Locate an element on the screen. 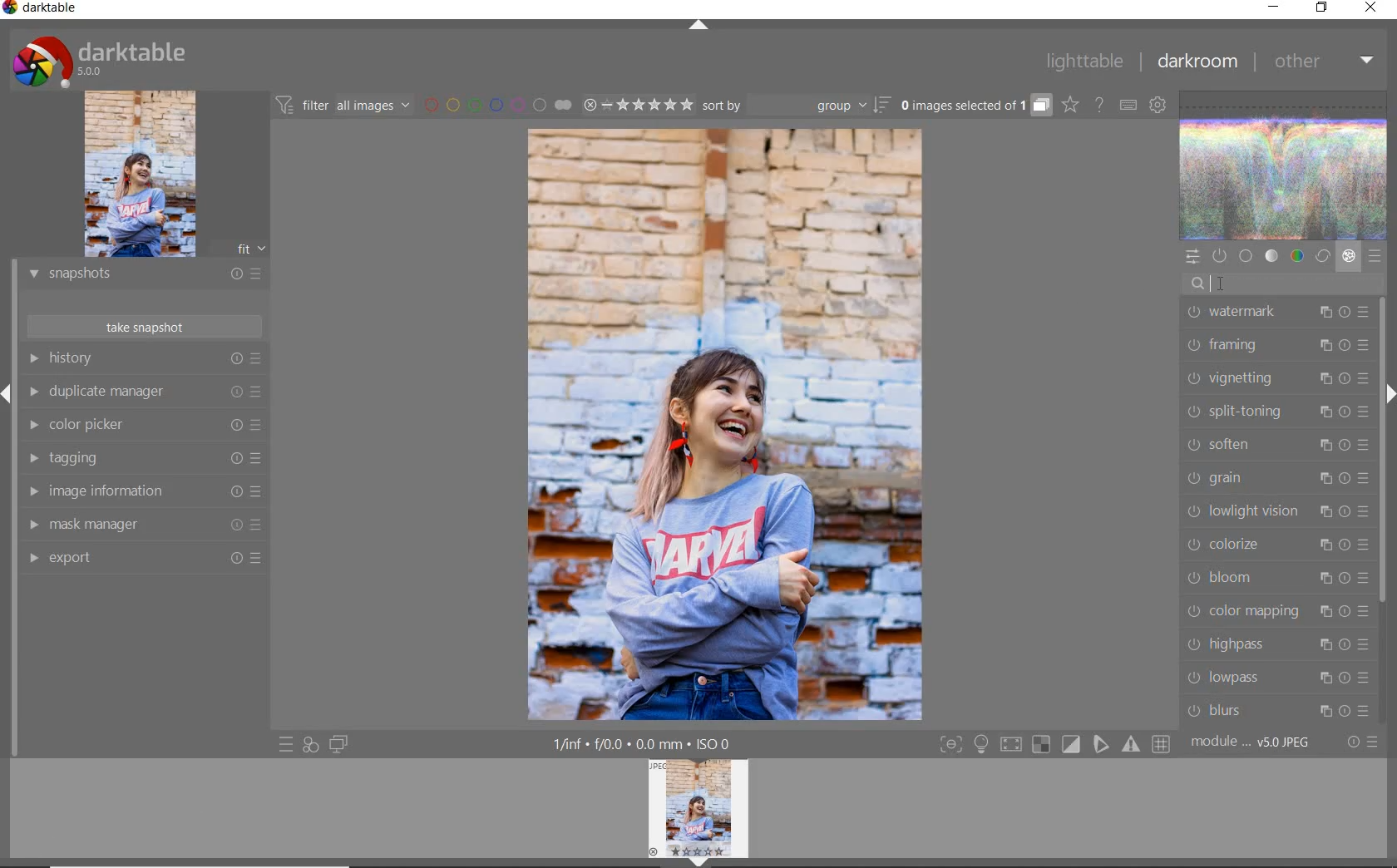 This screenshot has height=868, width=1397. close is located at coordinates (1370, 9).